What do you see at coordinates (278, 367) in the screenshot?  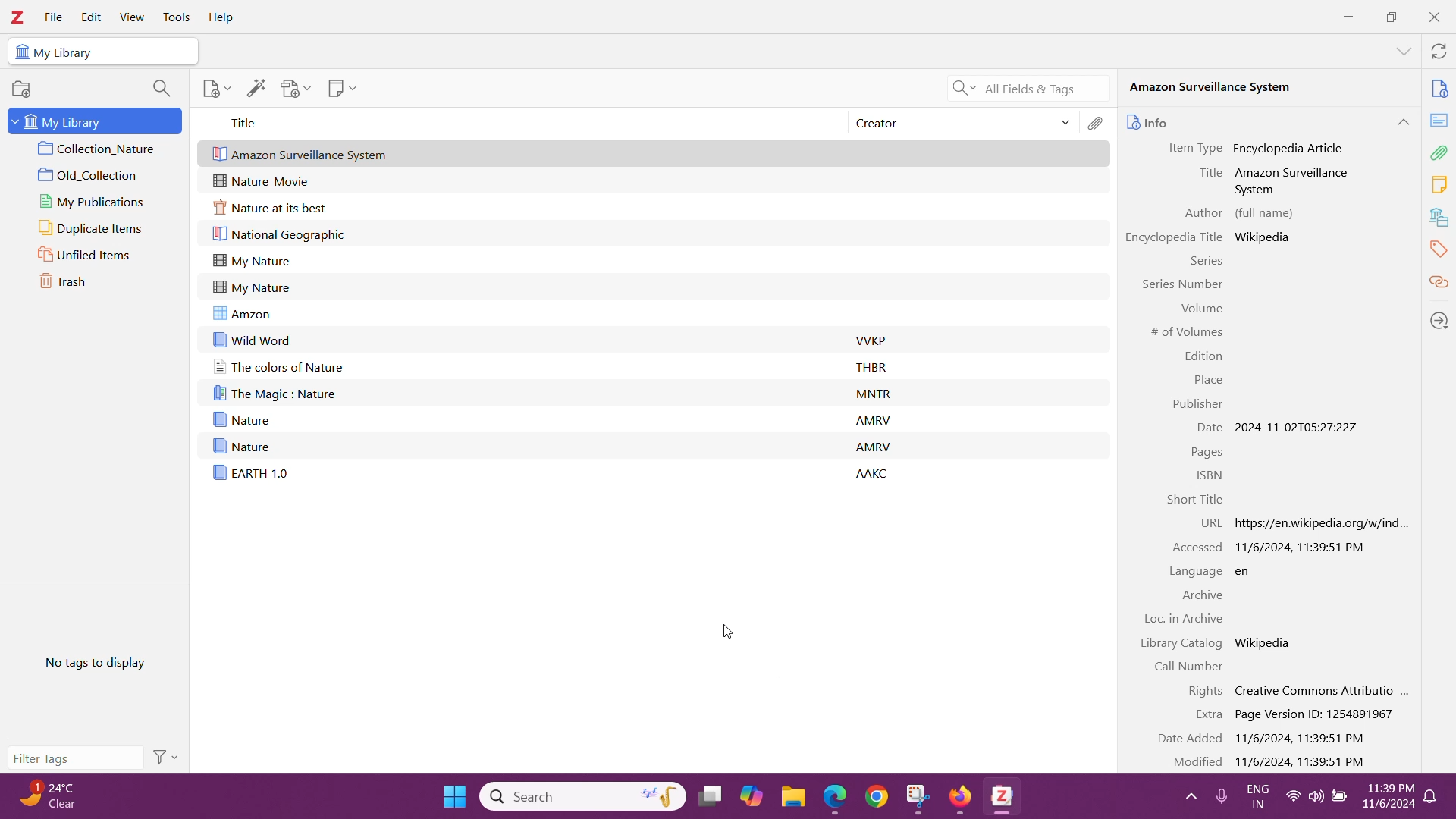 I see `The colors of Nature` at bounding box center [278, 367].